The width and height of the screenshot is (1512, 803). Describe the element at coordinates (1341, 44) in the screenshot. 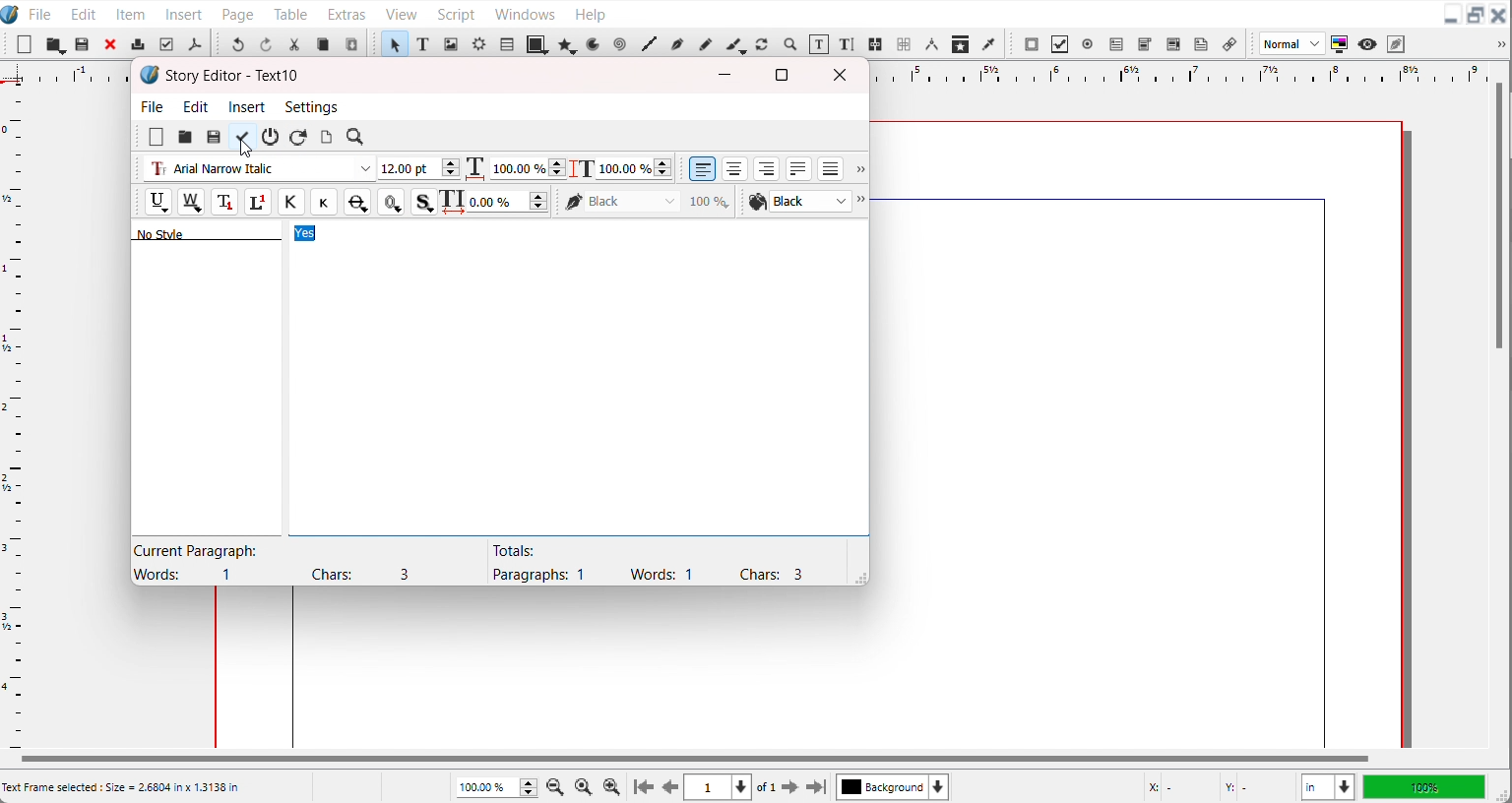

I see `Toggle color` at that location.